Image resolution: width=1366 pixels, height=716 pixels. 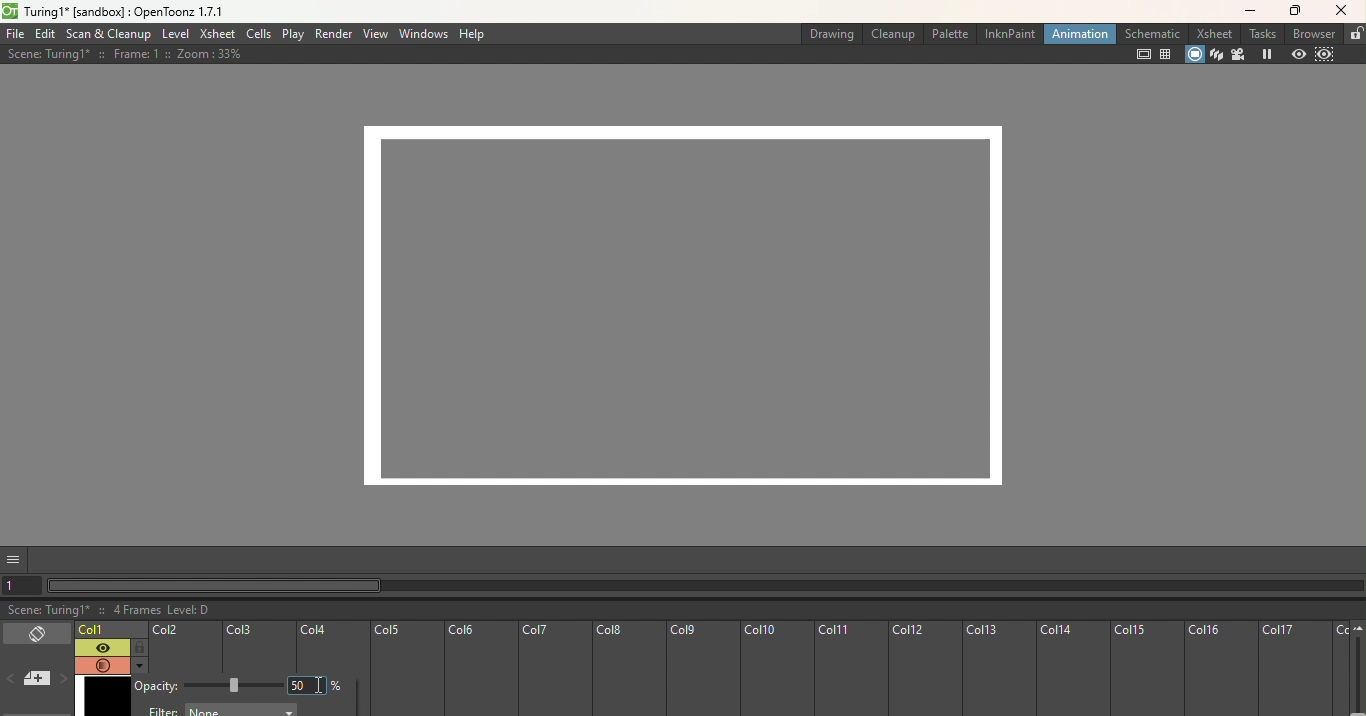 I want to click on Level, so click(x=175, y=34).